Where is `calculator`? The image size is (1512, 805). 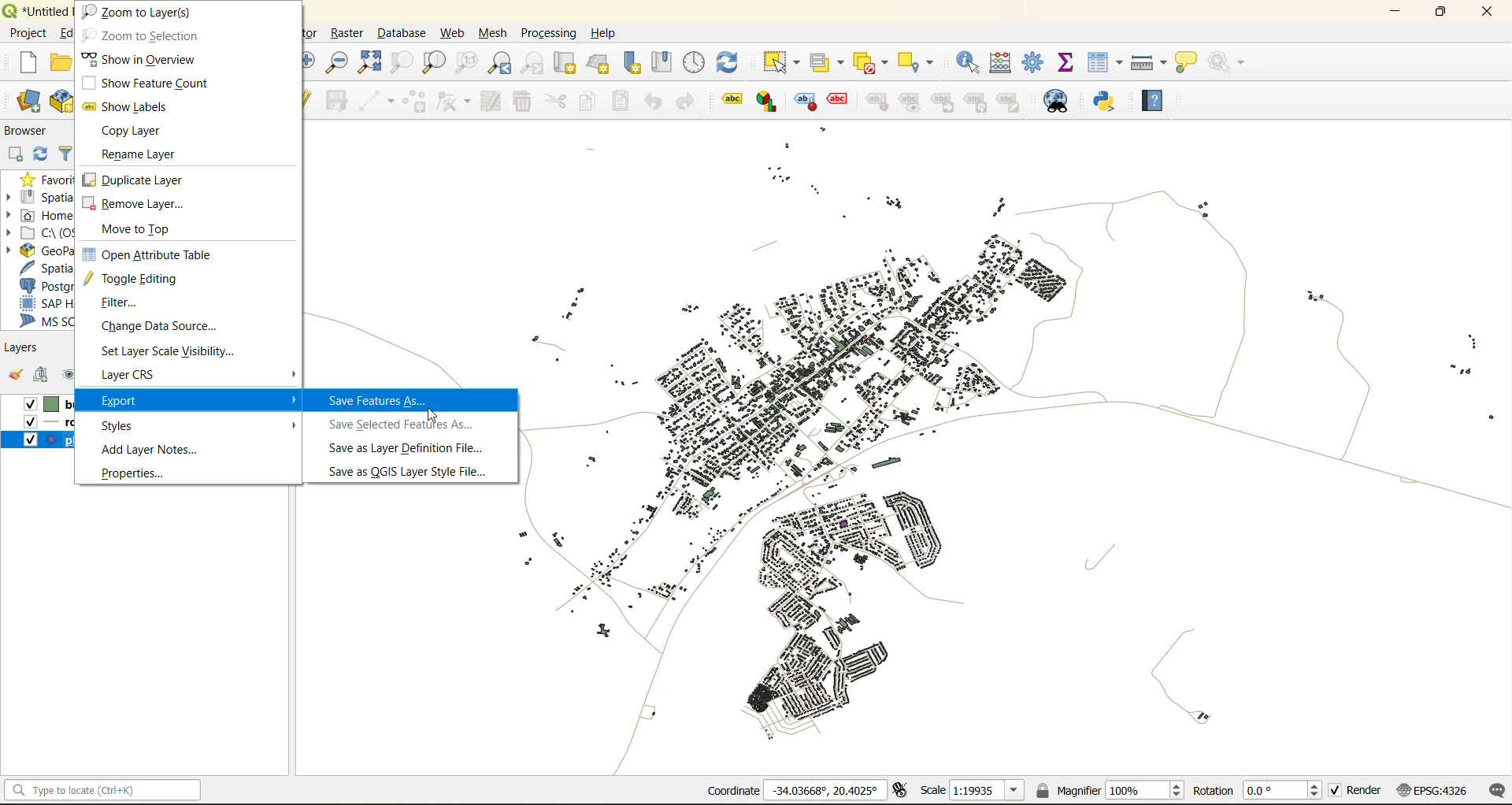 calculator is located at coordinates (1008, 63).